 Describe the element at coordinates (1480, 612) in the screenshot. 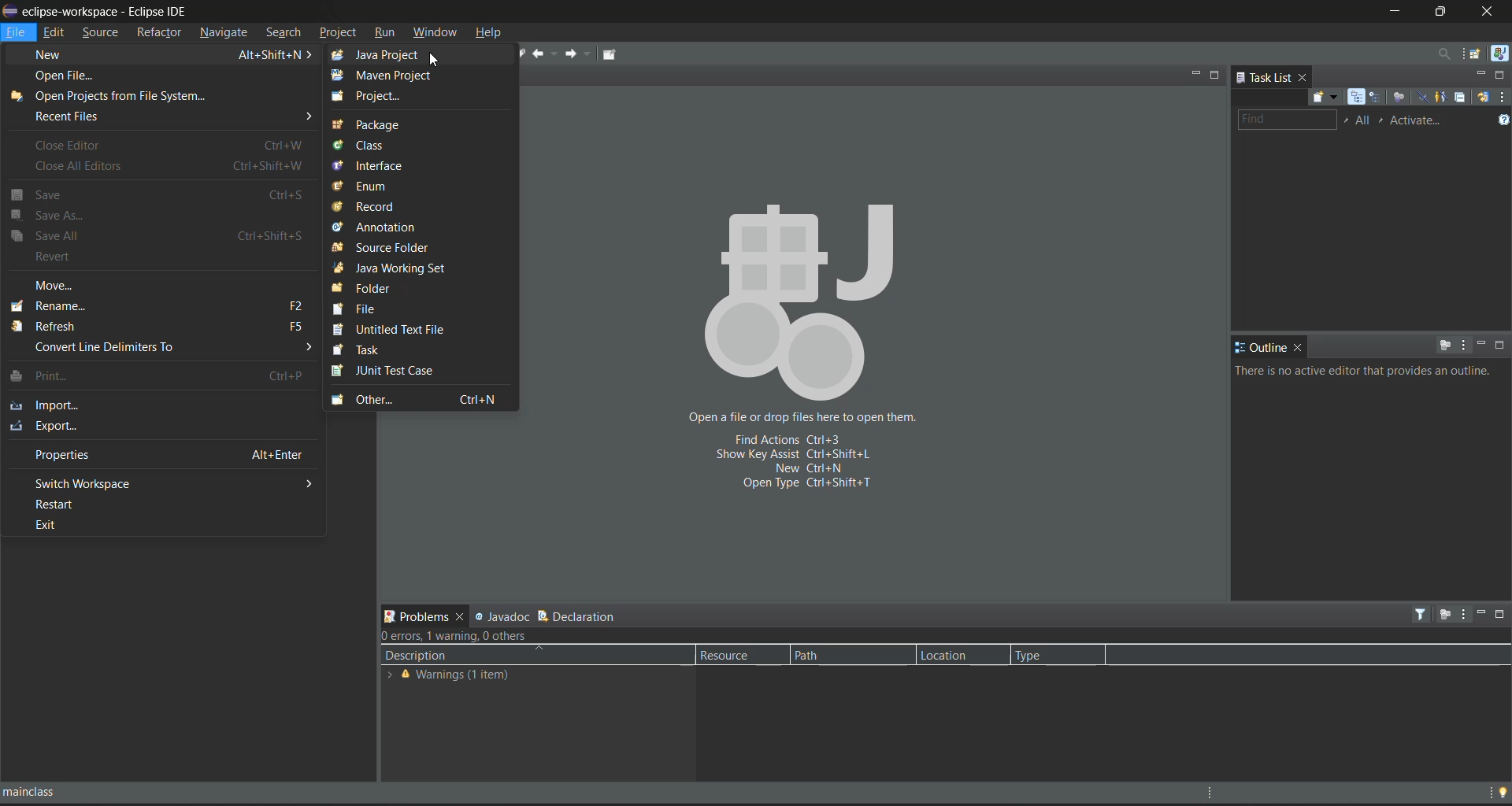

I see `minimize` at that location.